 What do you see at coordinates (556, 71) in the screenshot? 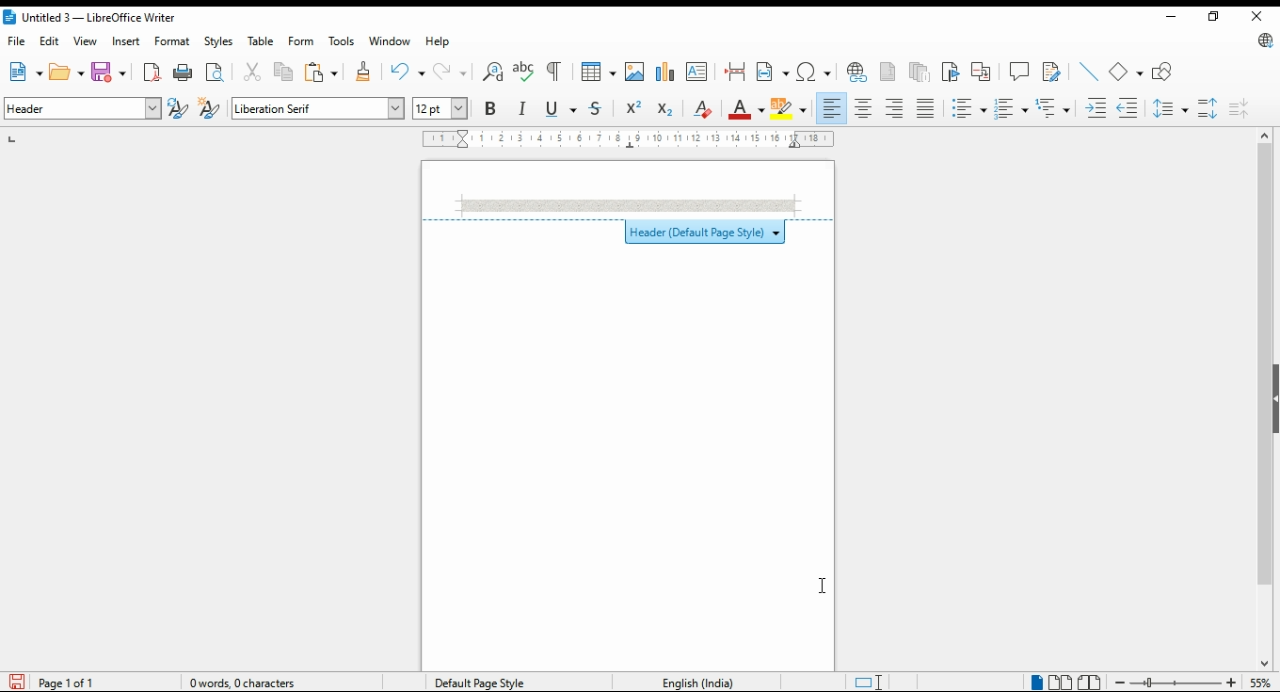
I see `toggle formatting marks` at bounding box center [556, 71].